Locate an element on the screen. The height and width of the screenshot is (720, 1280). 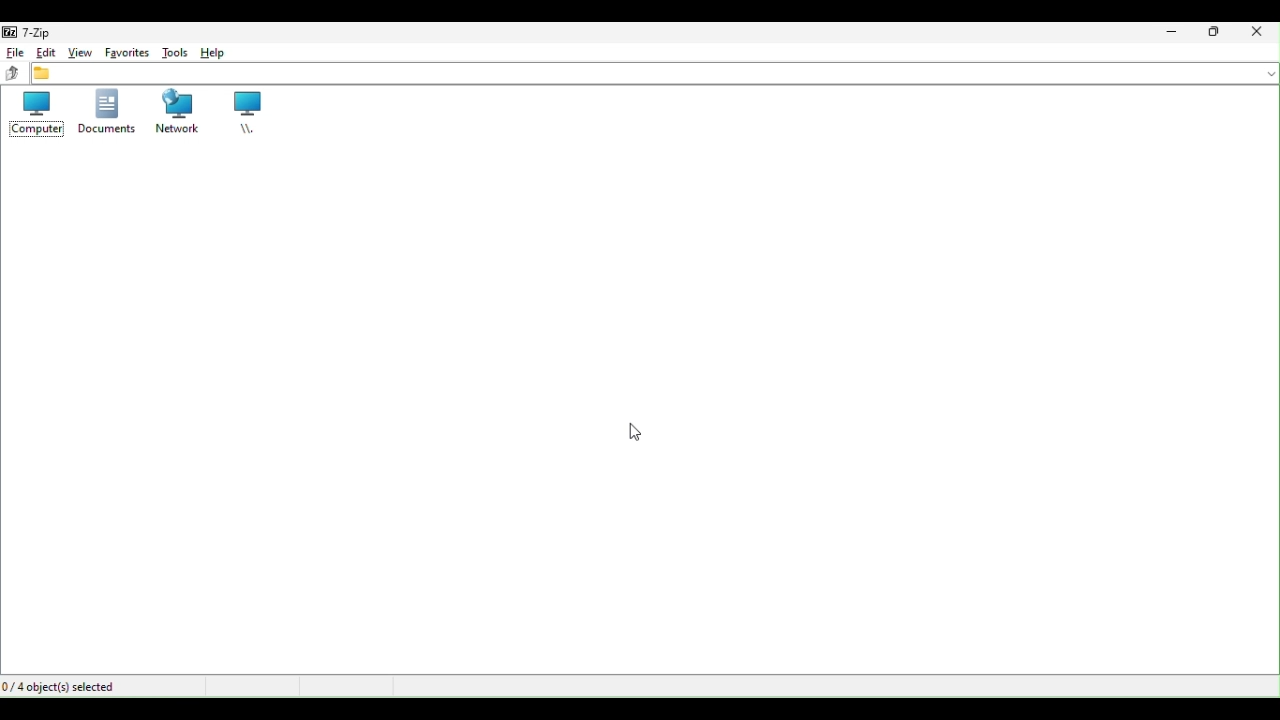
file address bar is located at coordinates (658, 75).